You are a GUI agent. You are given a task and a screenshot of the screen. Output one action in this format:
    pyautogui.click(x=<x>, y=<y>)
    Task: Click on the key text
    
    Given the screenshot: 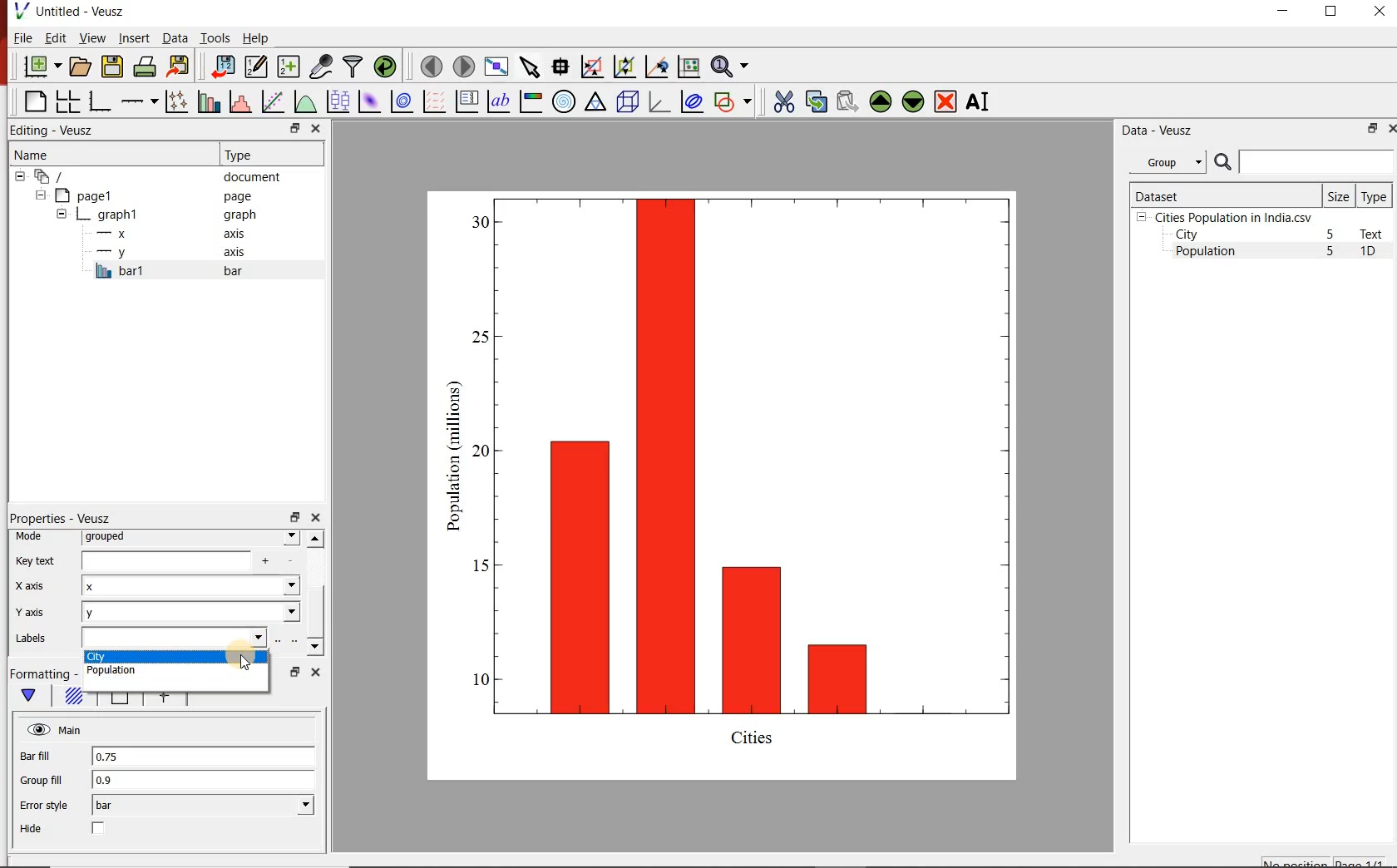 What is the action you would take?
    pyautogui.click(x=36, y=560)
    